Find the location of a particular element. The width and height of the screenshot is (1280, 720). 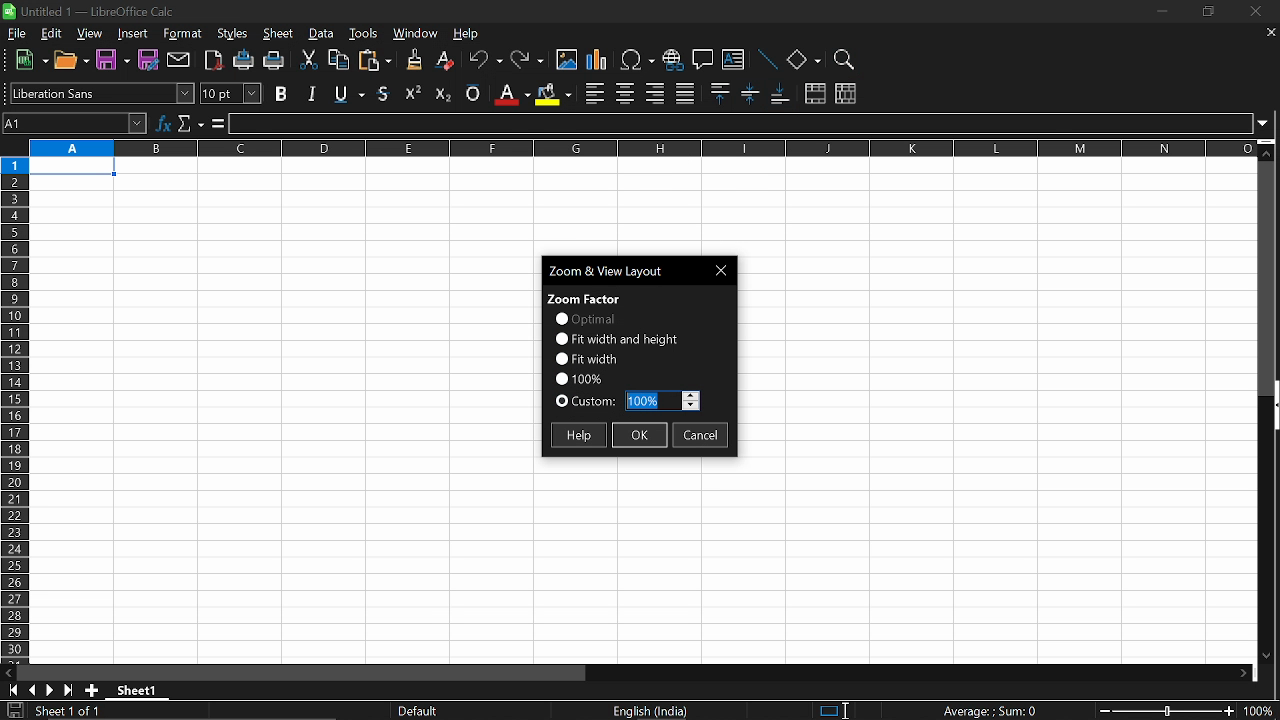

edit is located at coordinates (51, 34).